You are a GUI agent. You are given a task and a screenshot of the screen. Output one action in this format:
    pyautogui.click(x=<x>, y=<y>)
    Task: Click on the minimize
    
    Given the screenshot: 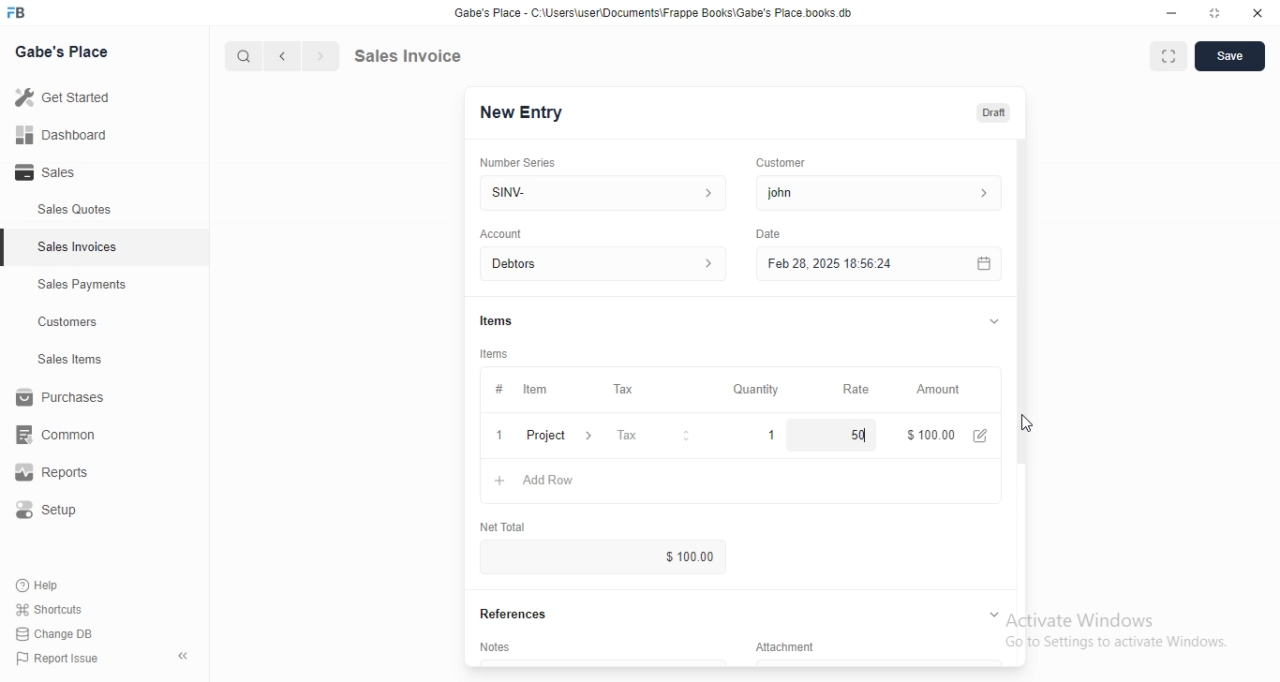 What is the action you would take?
    pyautogui.click(x=1163, y=15)
    